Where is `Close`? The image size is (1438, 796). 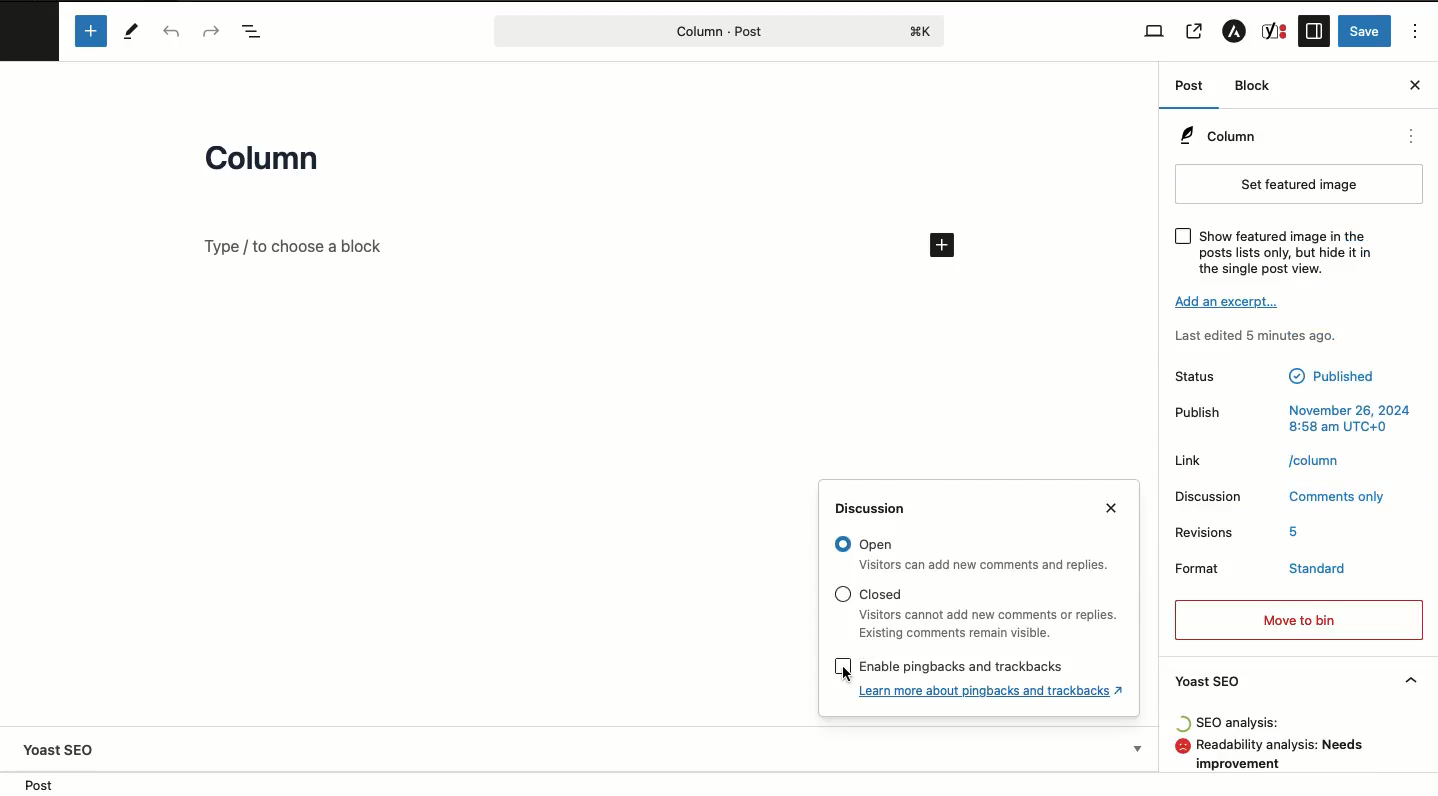
Close is located at coordinates (1415, 85).